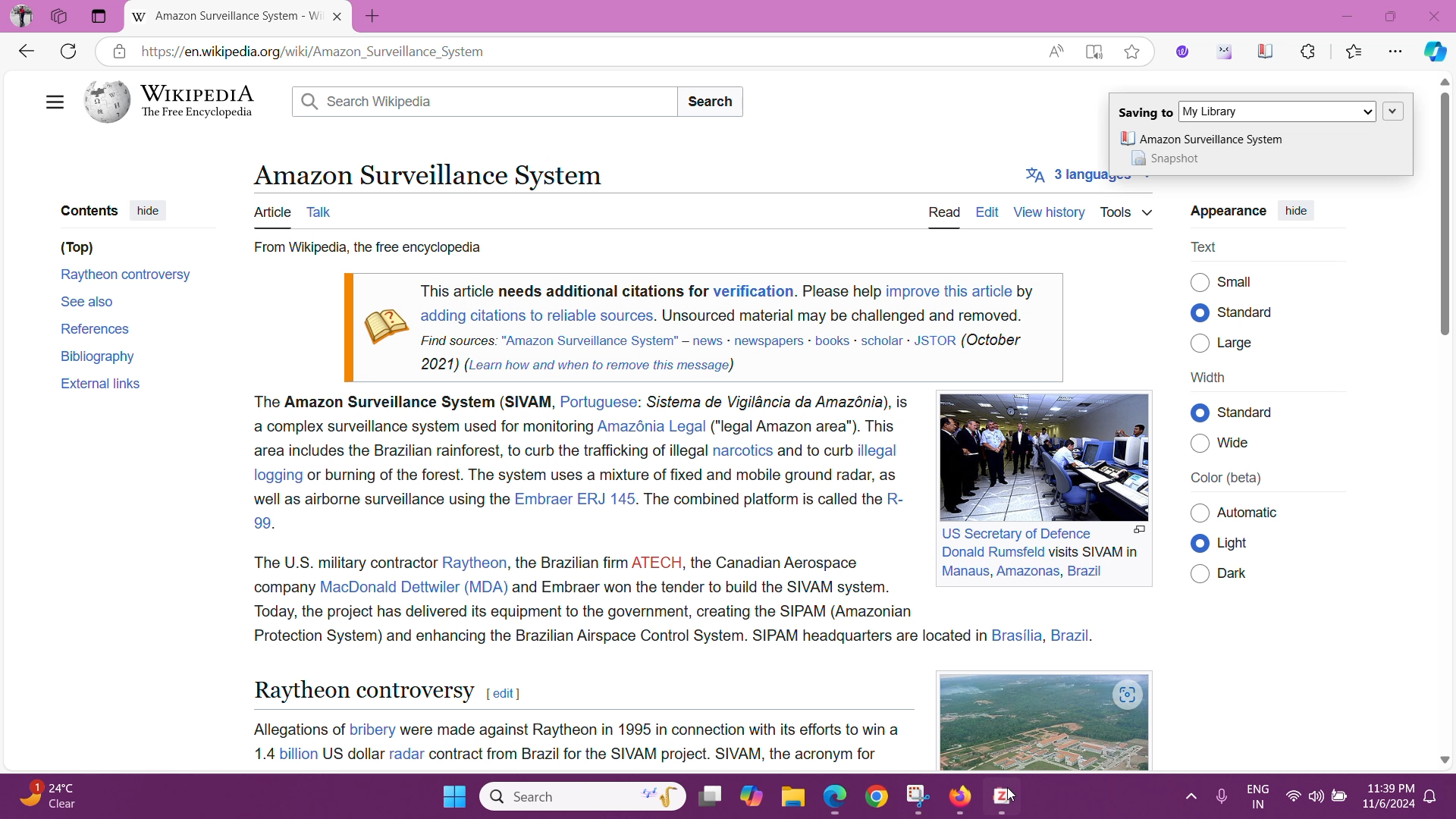 The image size is (1456, 819). What do you see at coordinates (733, 795) in the screenshot?
I see `System Taskbar apps` at bounding box center [733, 795].